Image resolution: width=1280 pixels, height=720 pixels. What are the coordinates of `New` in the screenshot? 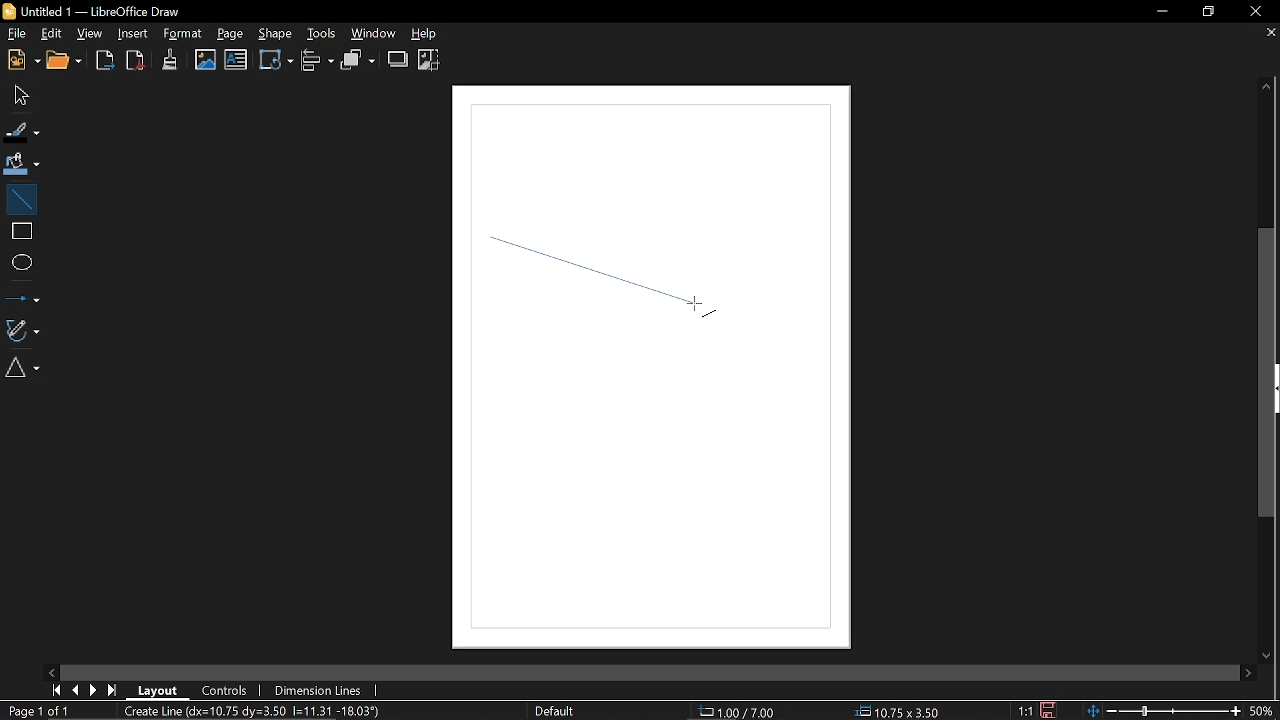 It's located at (21, 61).